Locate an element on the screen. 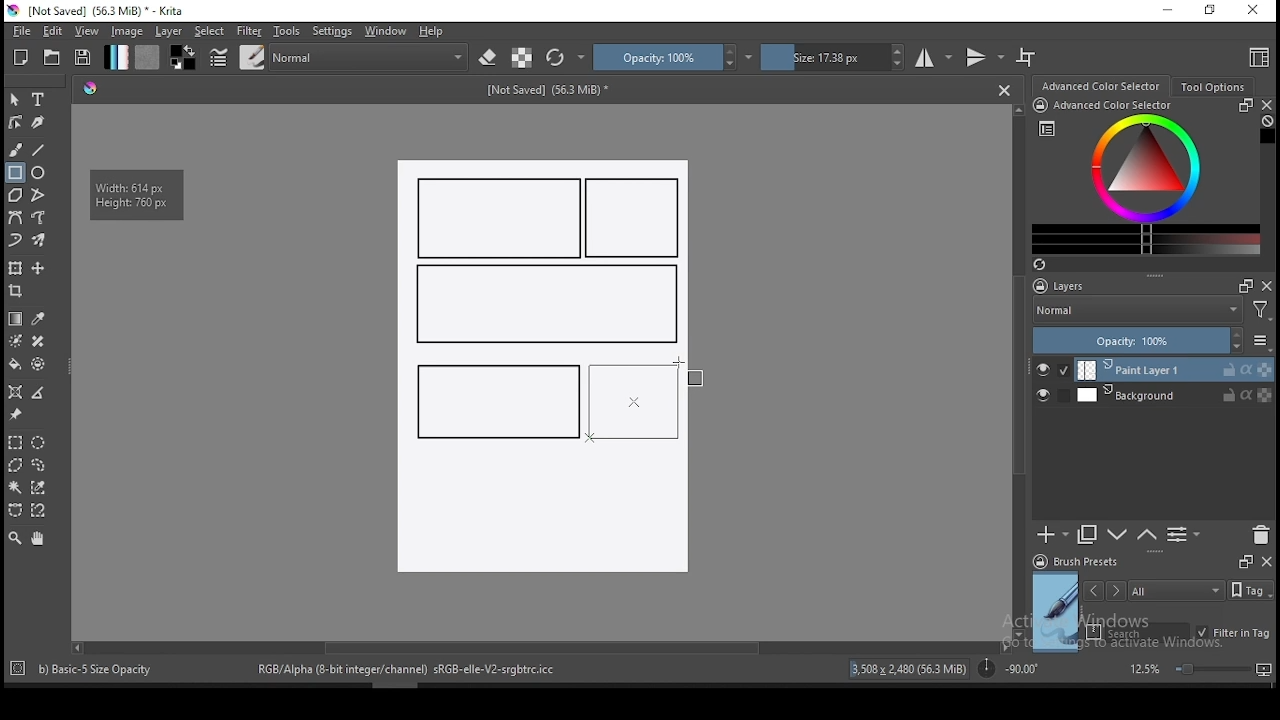 The width and height of the screenshot is (1280, 720). duplicate layer is located at coordinates (1088, 534).